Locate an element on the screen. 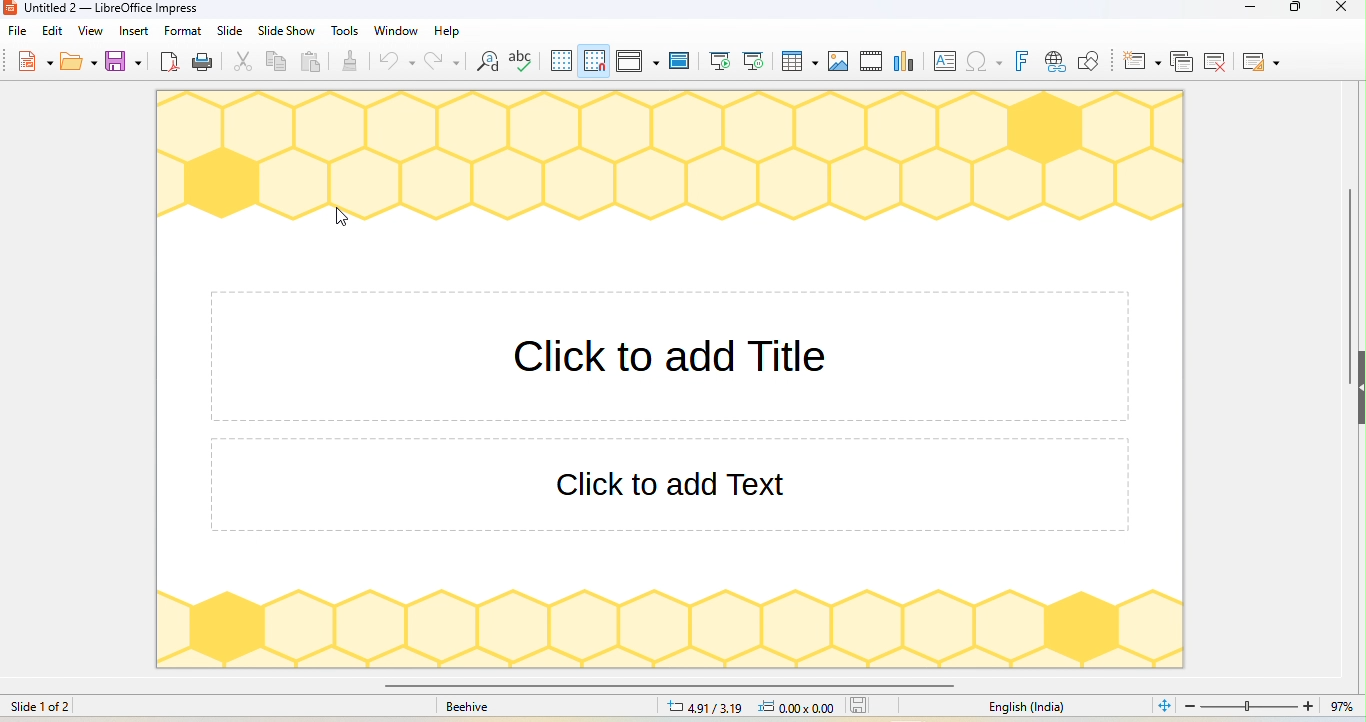 This screenshot has height=722, width=1366. slide layout is located at coordinates (1260, 63).